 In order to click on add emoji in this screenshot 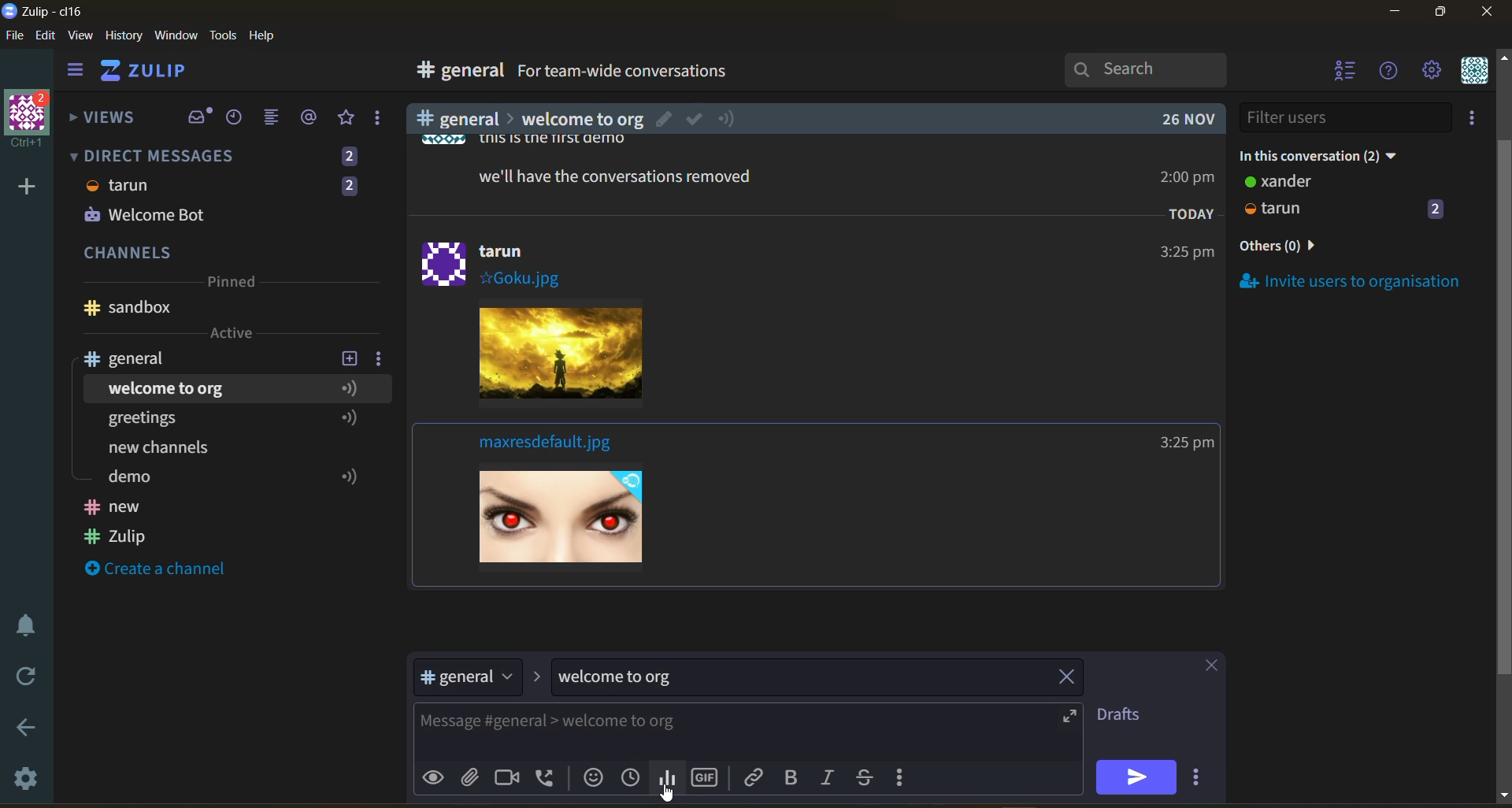, I will do `click(591, 776)`.